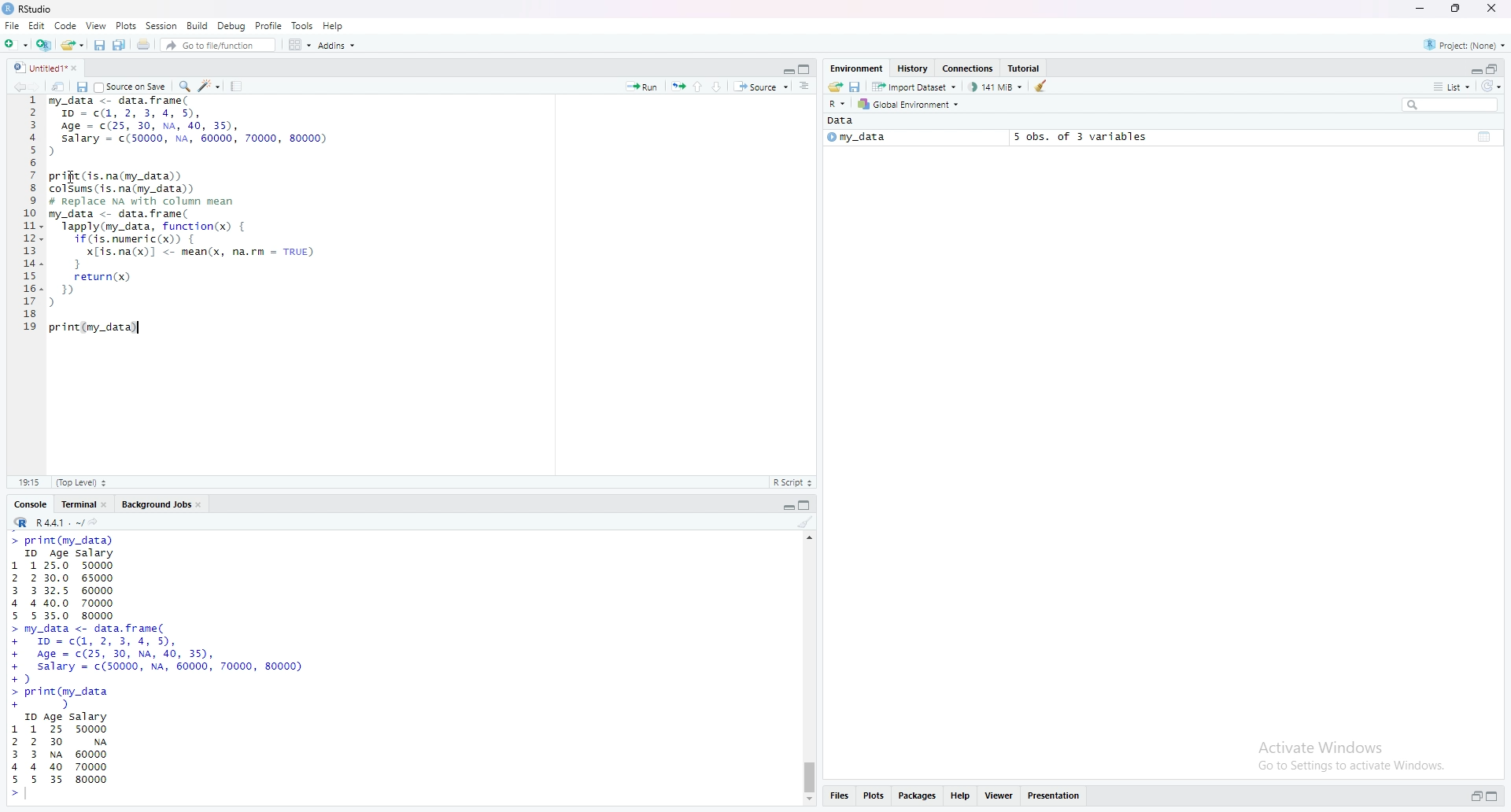 This screenshot has width=1511, height=812. I want to click on connections, so click(969, 69).